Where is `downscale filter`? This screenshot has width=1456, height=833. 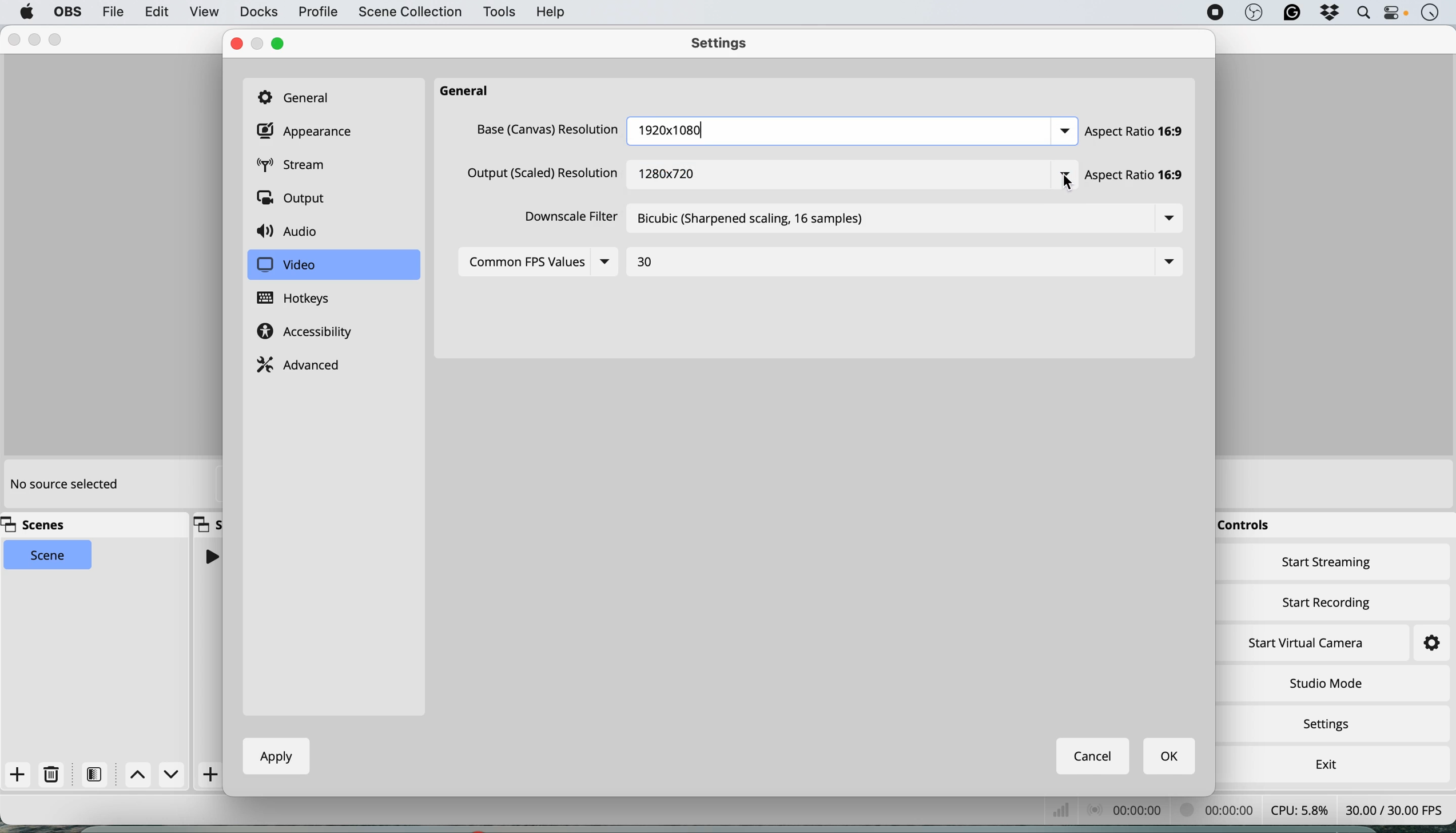 downscale filter is located at coordinates (566, 220).